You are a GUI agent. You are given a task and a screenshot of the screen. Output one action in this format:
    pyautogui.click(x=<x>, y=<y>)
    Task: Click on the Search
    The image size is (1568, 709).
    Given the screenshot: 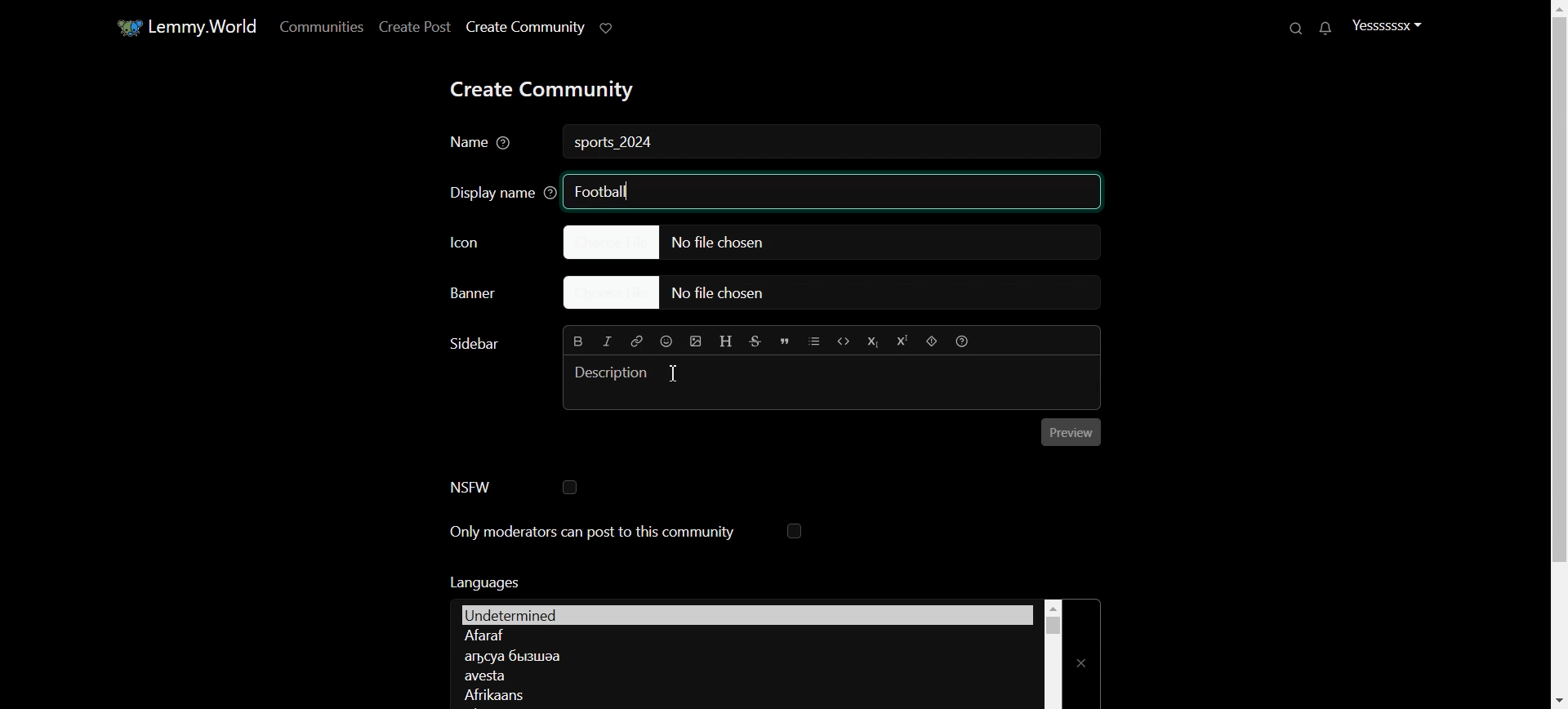 What is the action you would take?
    pyautogui.click(x=1298, y=28)
    